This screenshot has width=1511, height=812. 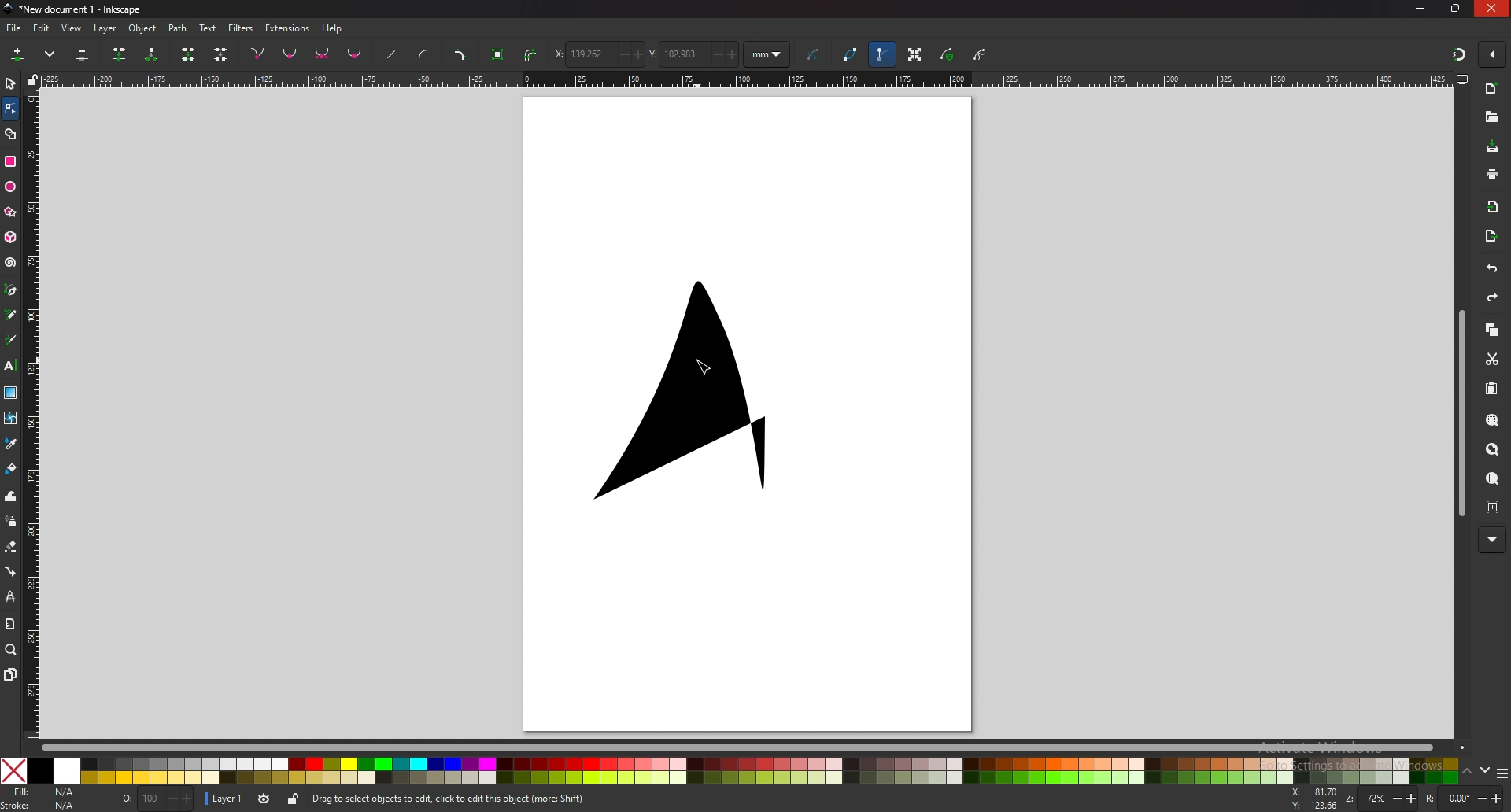 What do you see at coordinates (120, 54) in the screenshot?
I see `join selected nodes` at bounding box center [120, 54].